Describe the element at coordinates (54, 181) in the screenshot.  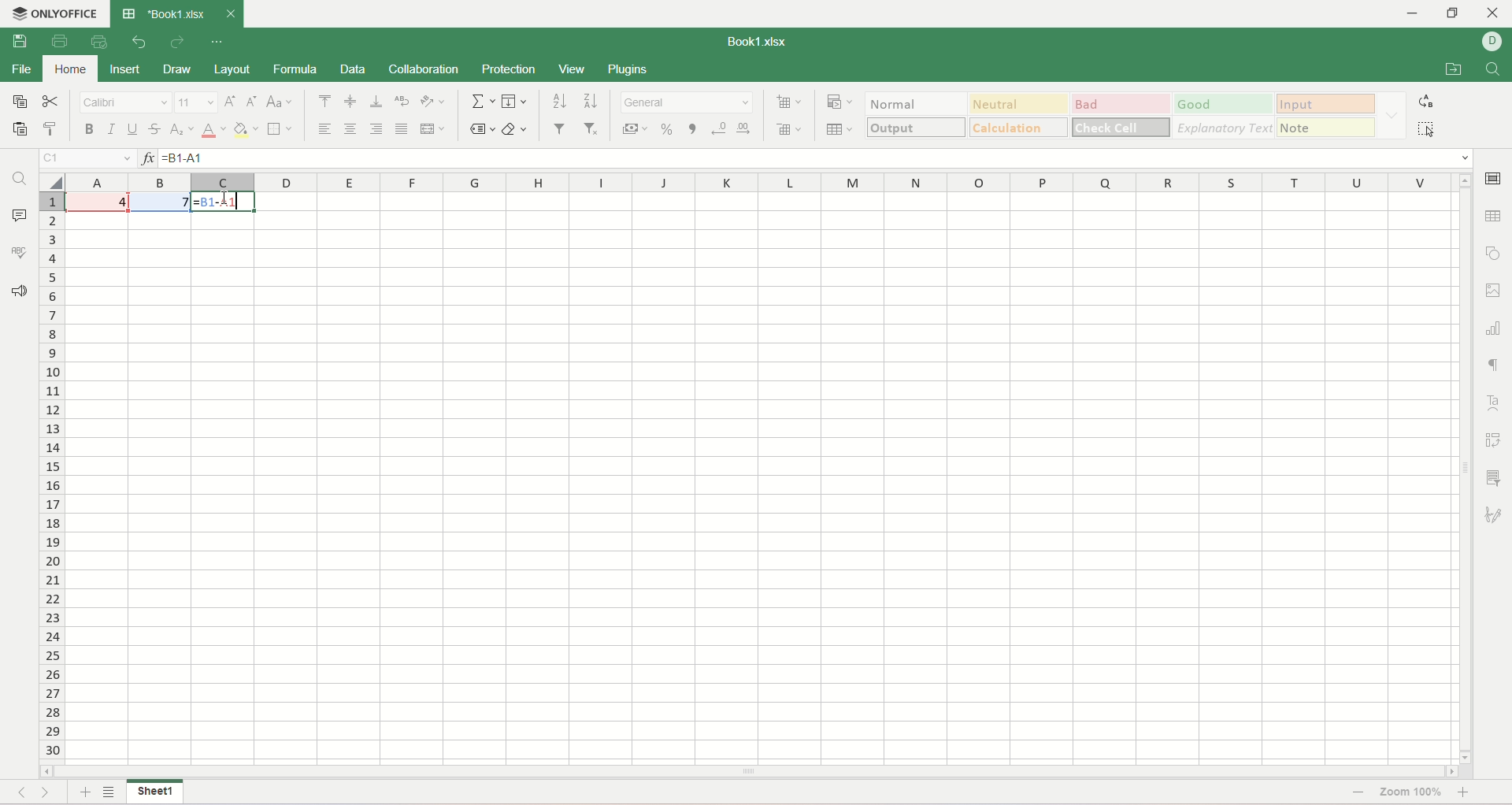
I see `select all` at that location.